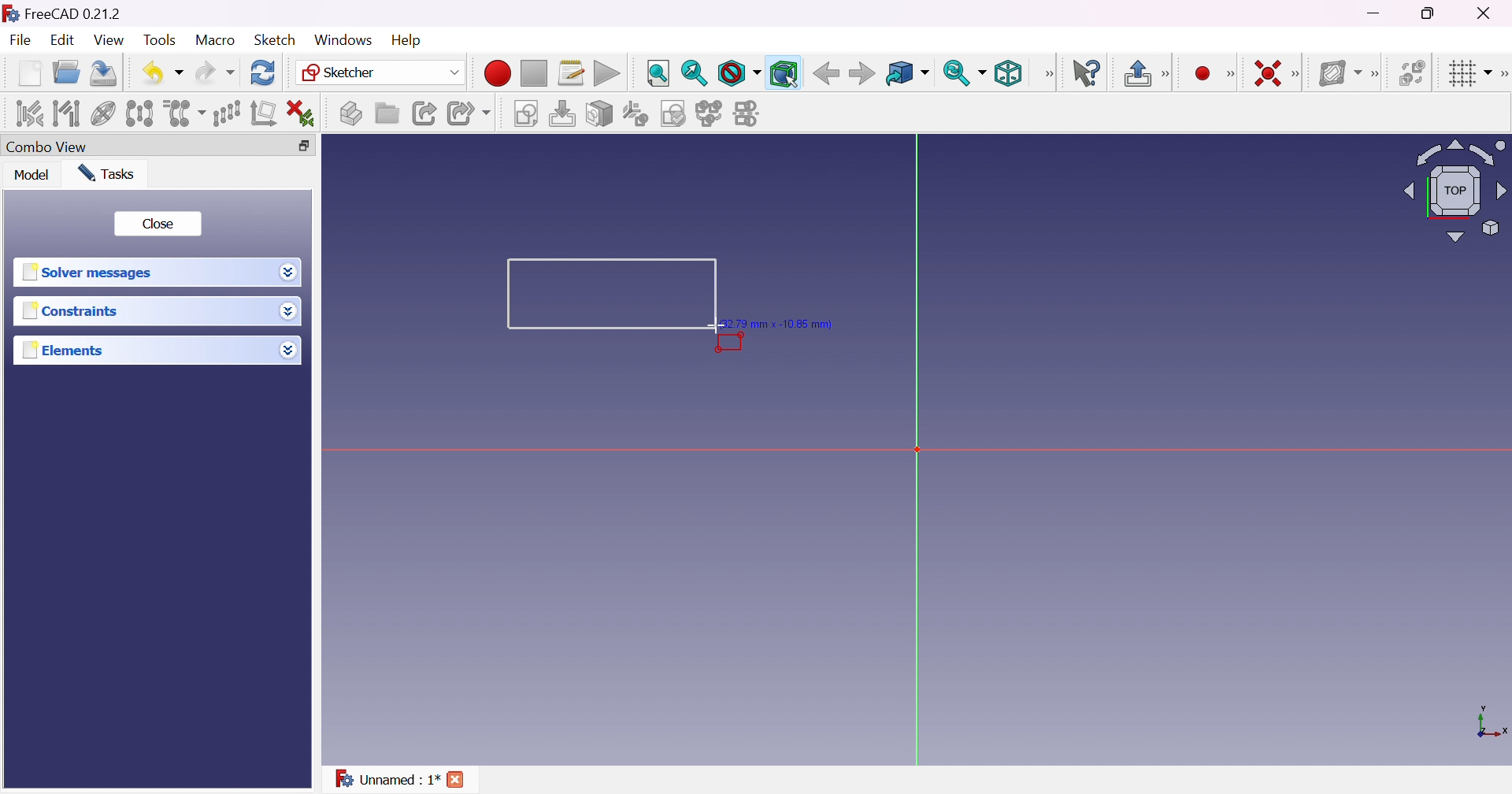 The height and width of the screenshot is (794, 1512). What do you see at coordinates (226, 114) in the screenshot?
I see `Rectangular array` at bounding box center [226, 114].